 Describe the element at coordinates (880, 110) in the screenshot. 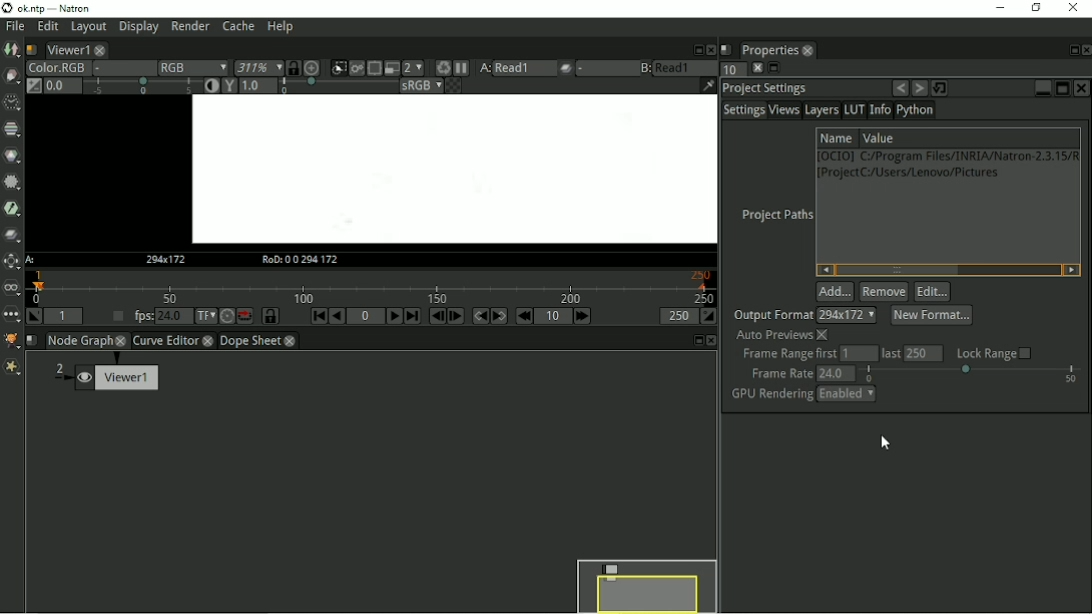

I see `Info` at that location.